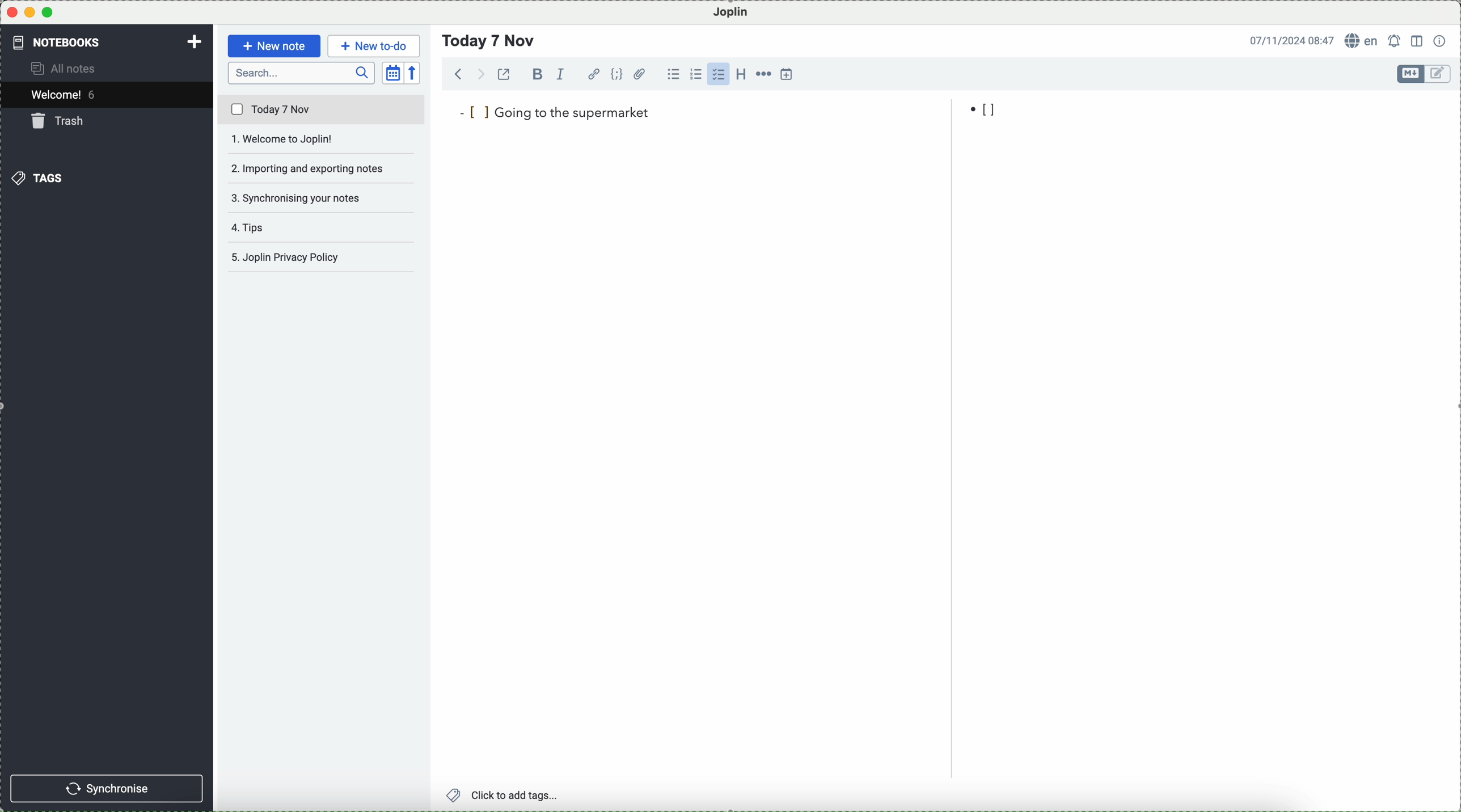 The width and height of the screenshot is (1461, 812). I want to click on Today 7 Nov - typing title, so click(489, 41).